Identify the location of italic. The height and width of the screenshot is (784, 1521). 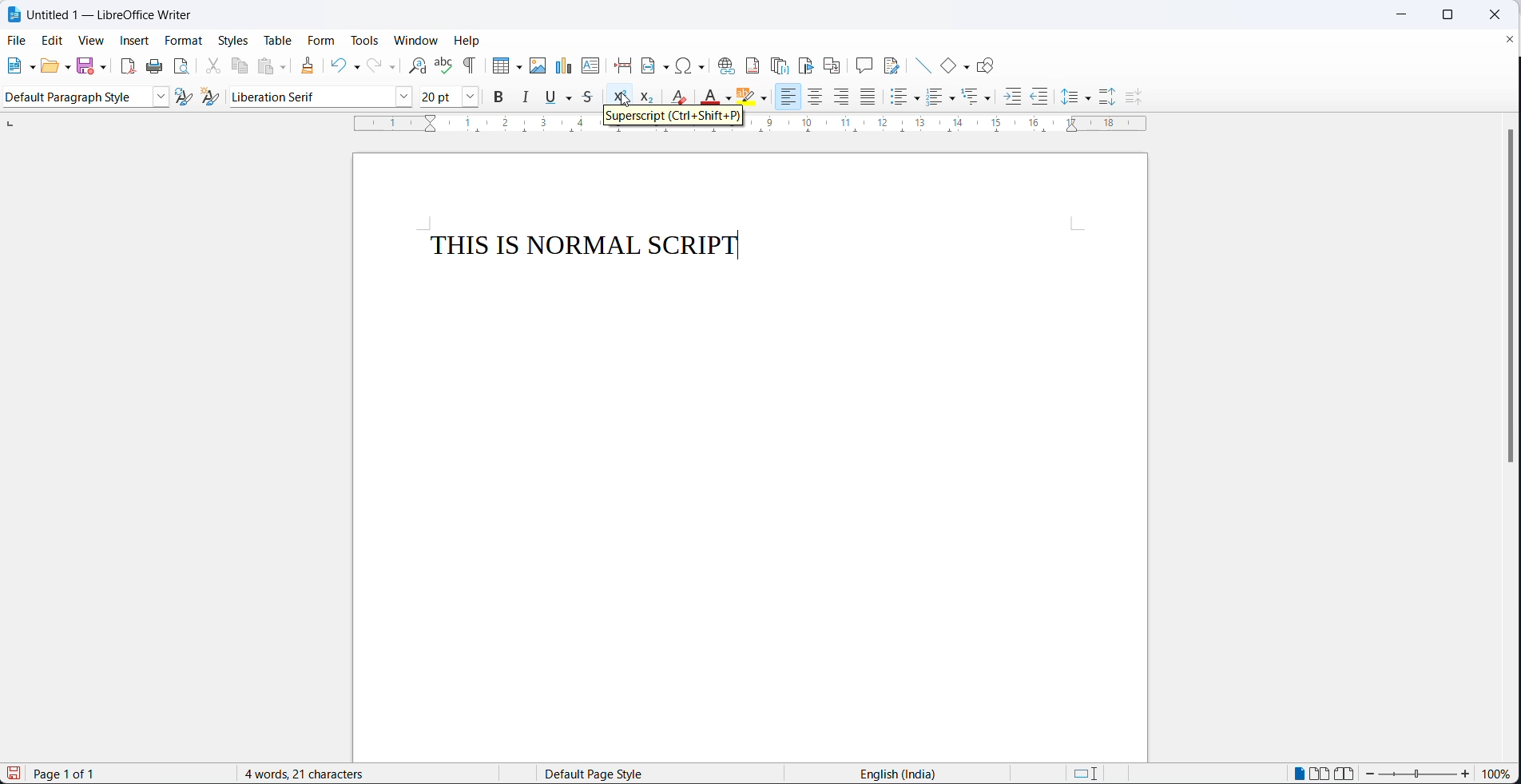
(524, 97).